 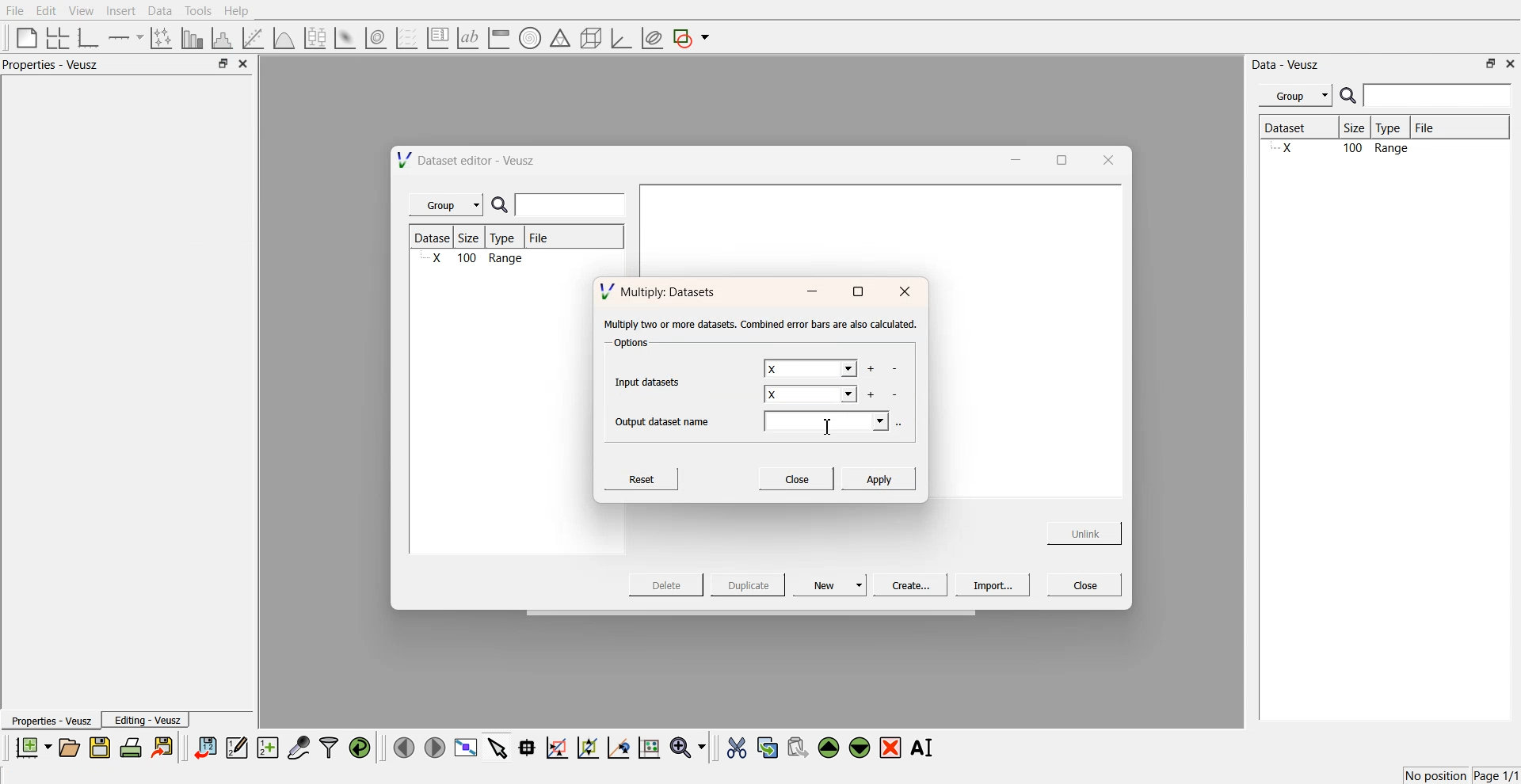 What do you see at coordinates (620, 39) in the screenshot?
I see `3d graph` at bounding box center [620, 39].